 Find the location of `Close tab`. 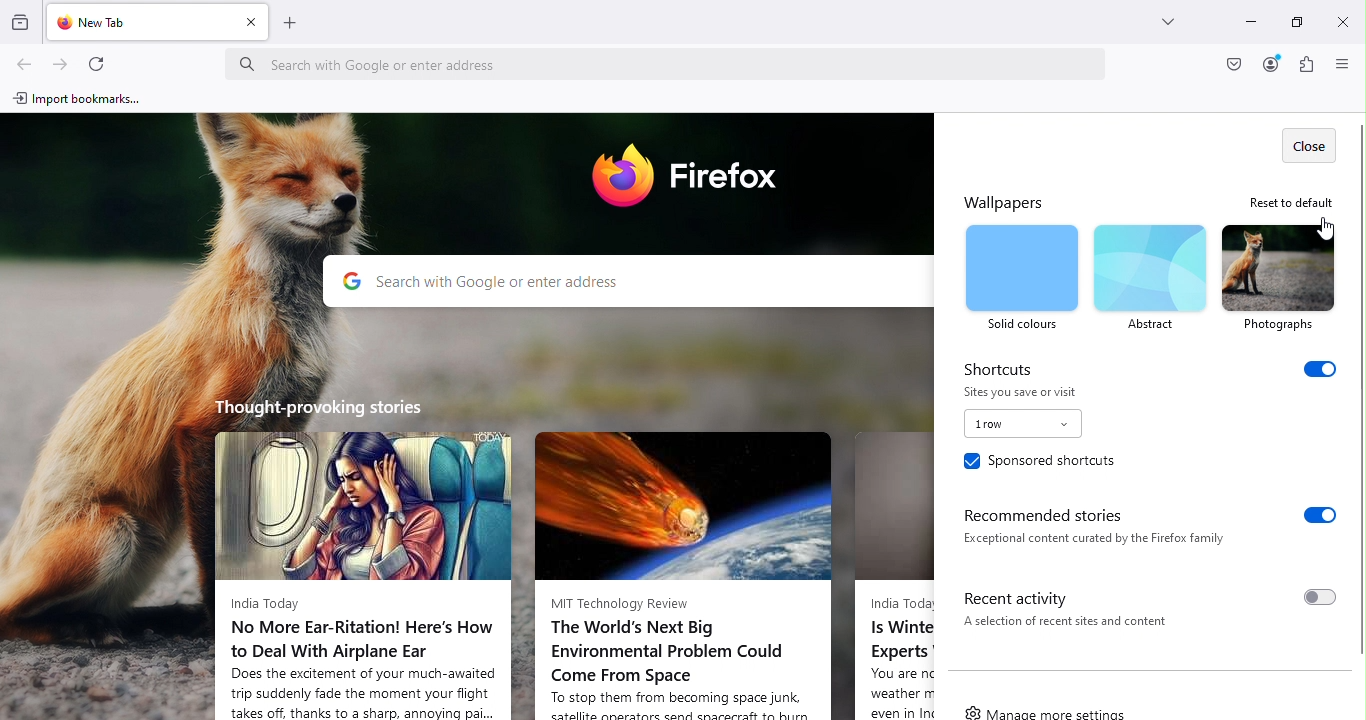

Close tab is located at coordinates (252, 28).